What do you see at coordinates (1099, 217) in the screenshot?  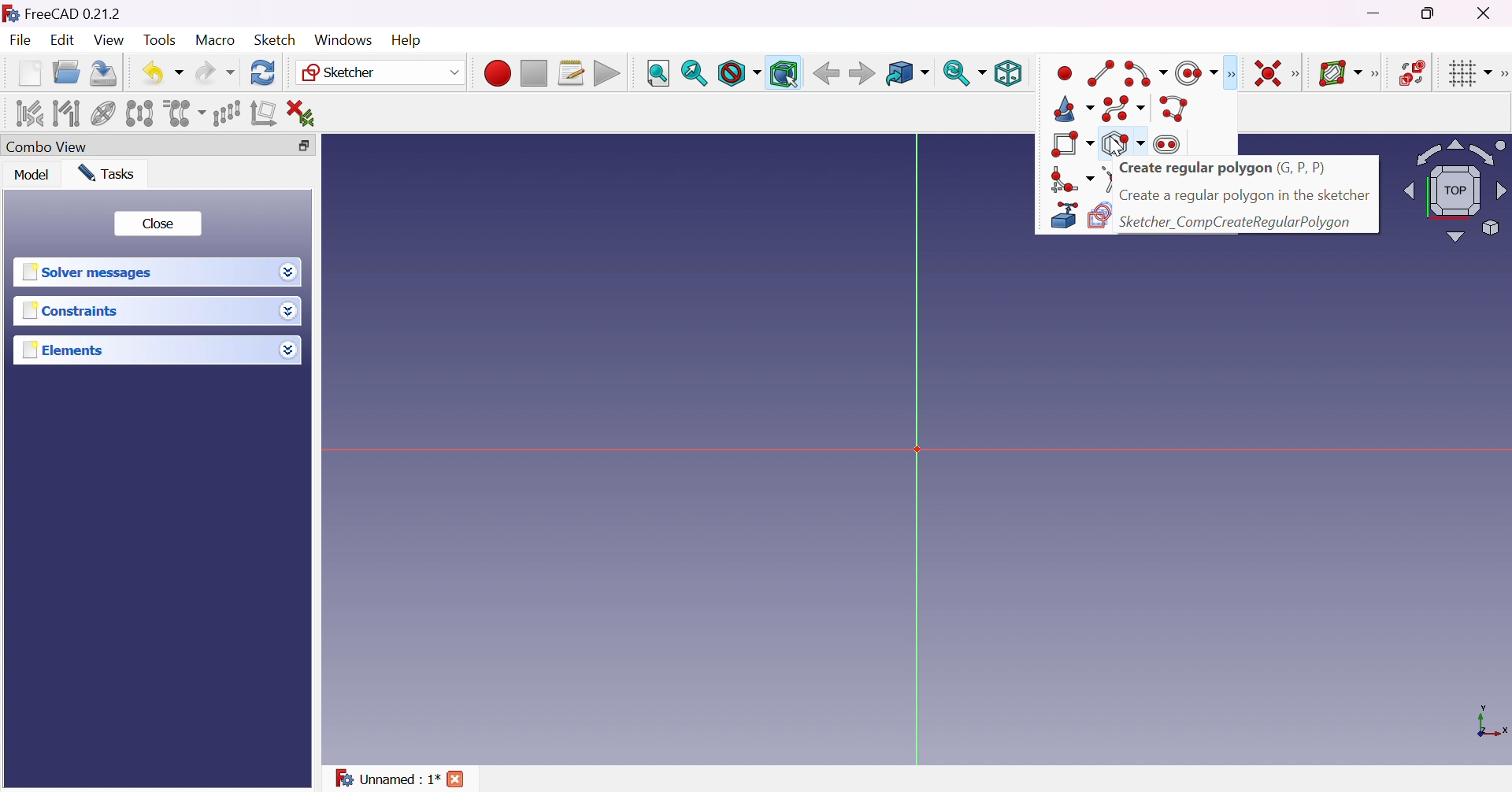 I see `Create carbon copy` at bounding box center [1099, 217].